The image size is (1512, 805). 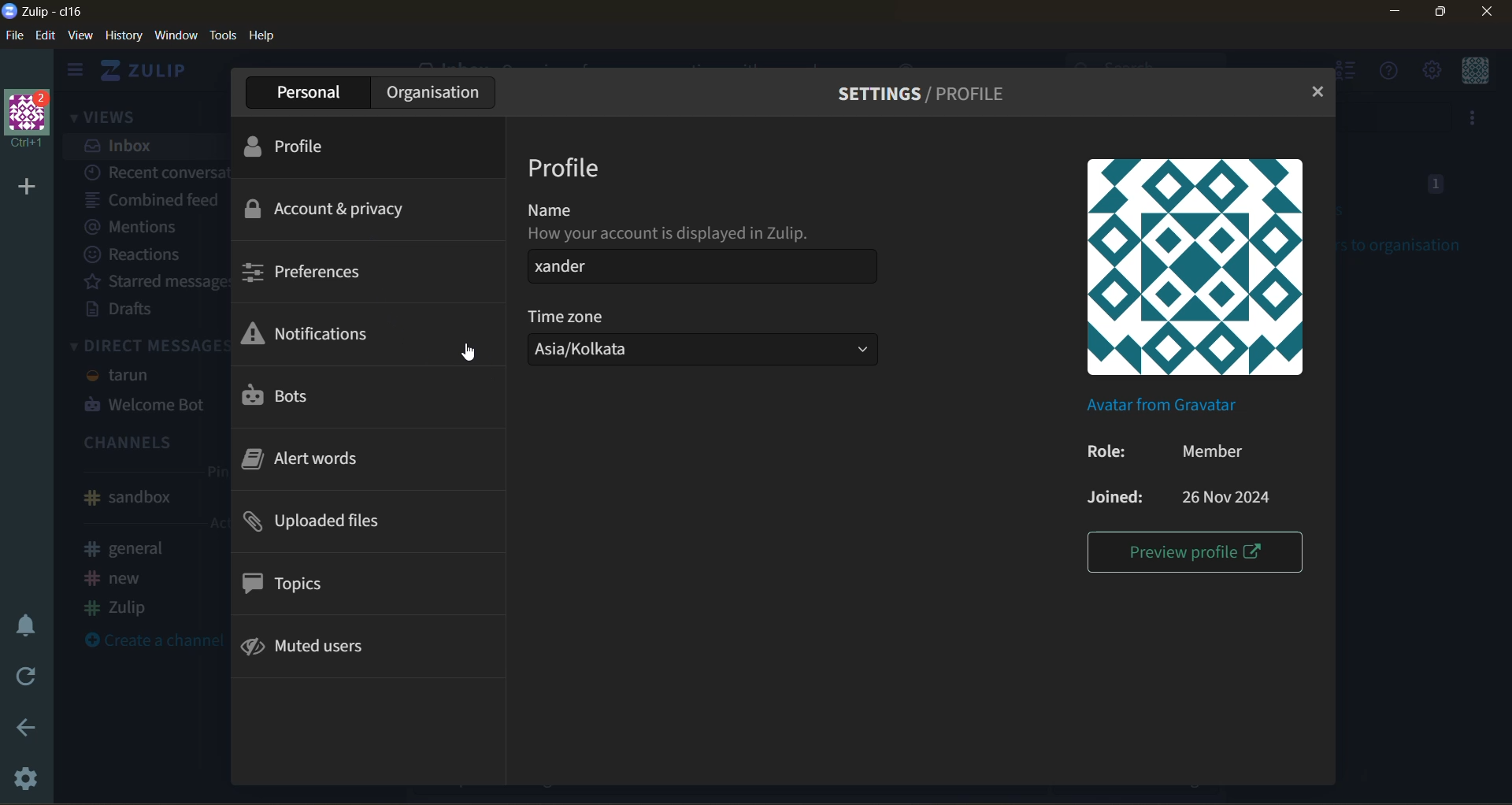 I want to click on close, so click(x=1316, y=91).